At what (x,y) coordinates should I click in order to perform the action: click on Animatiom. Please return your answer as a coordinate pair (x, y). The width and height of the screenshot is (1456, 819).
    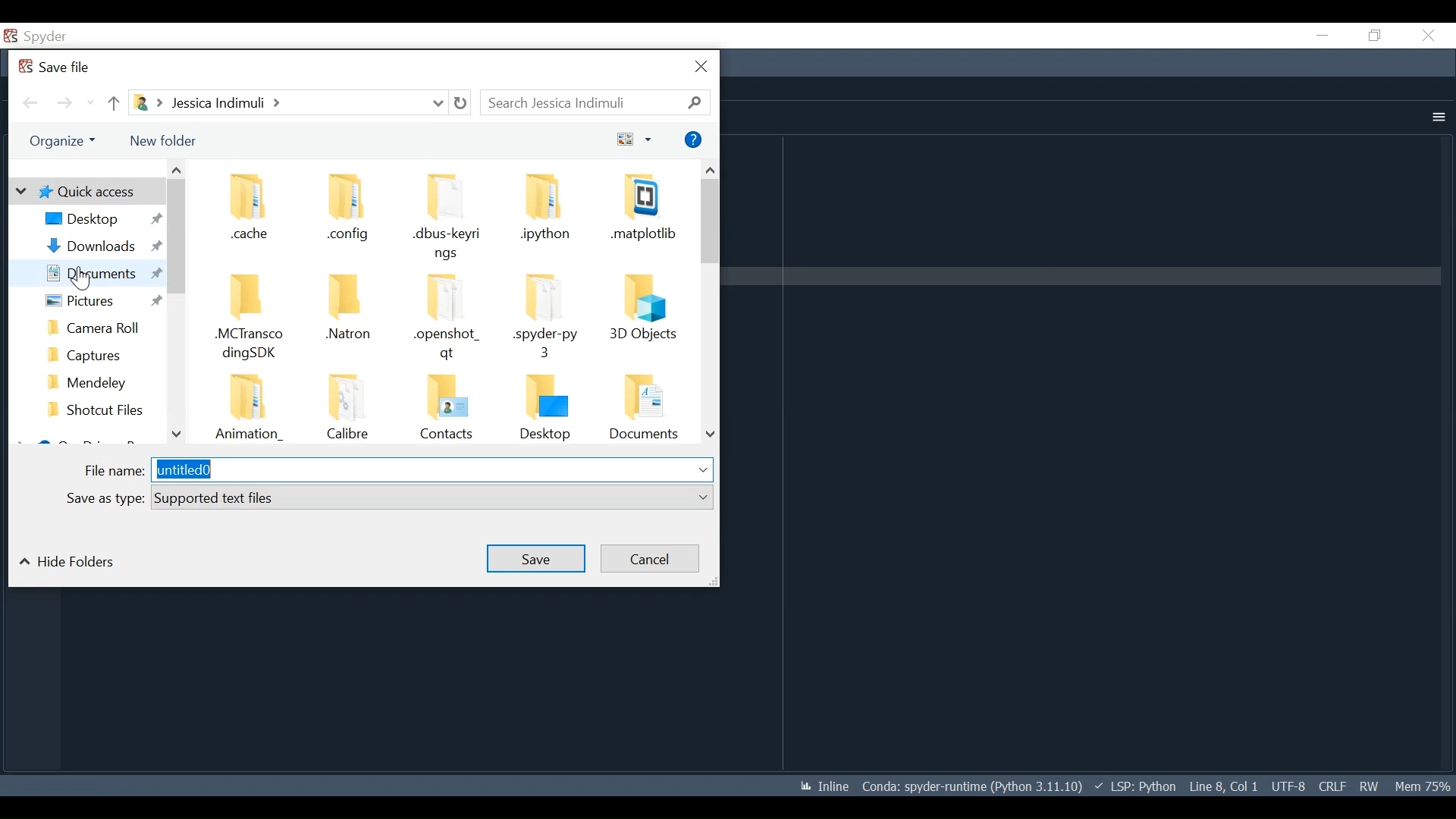
    Looking at the image, I should click on (246, 406).